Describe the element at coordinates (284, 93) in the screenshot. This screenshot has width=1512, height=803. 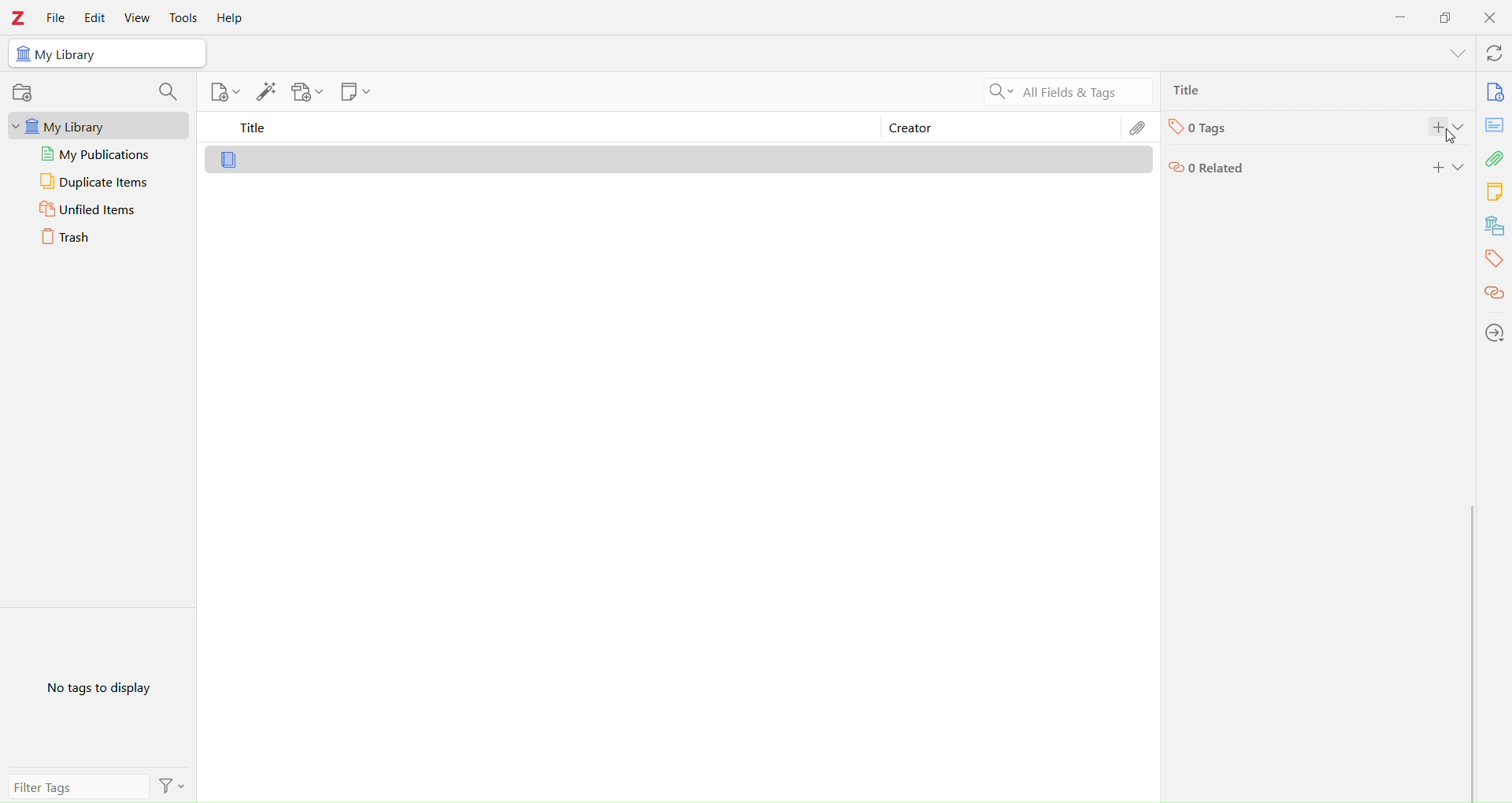
I see `Library tools` at that location.